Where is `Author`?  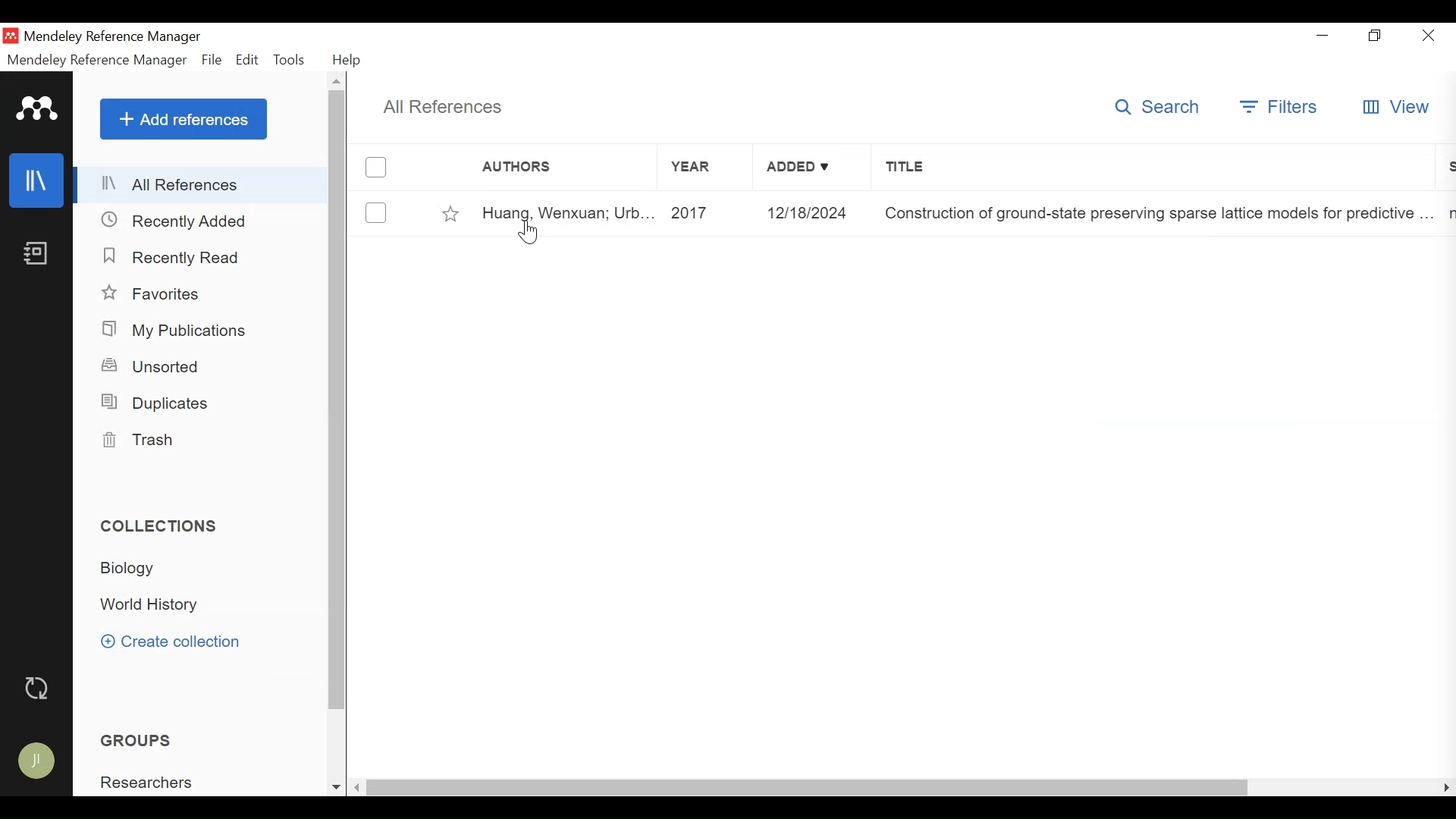 Author is located at coordinates (567, 212).